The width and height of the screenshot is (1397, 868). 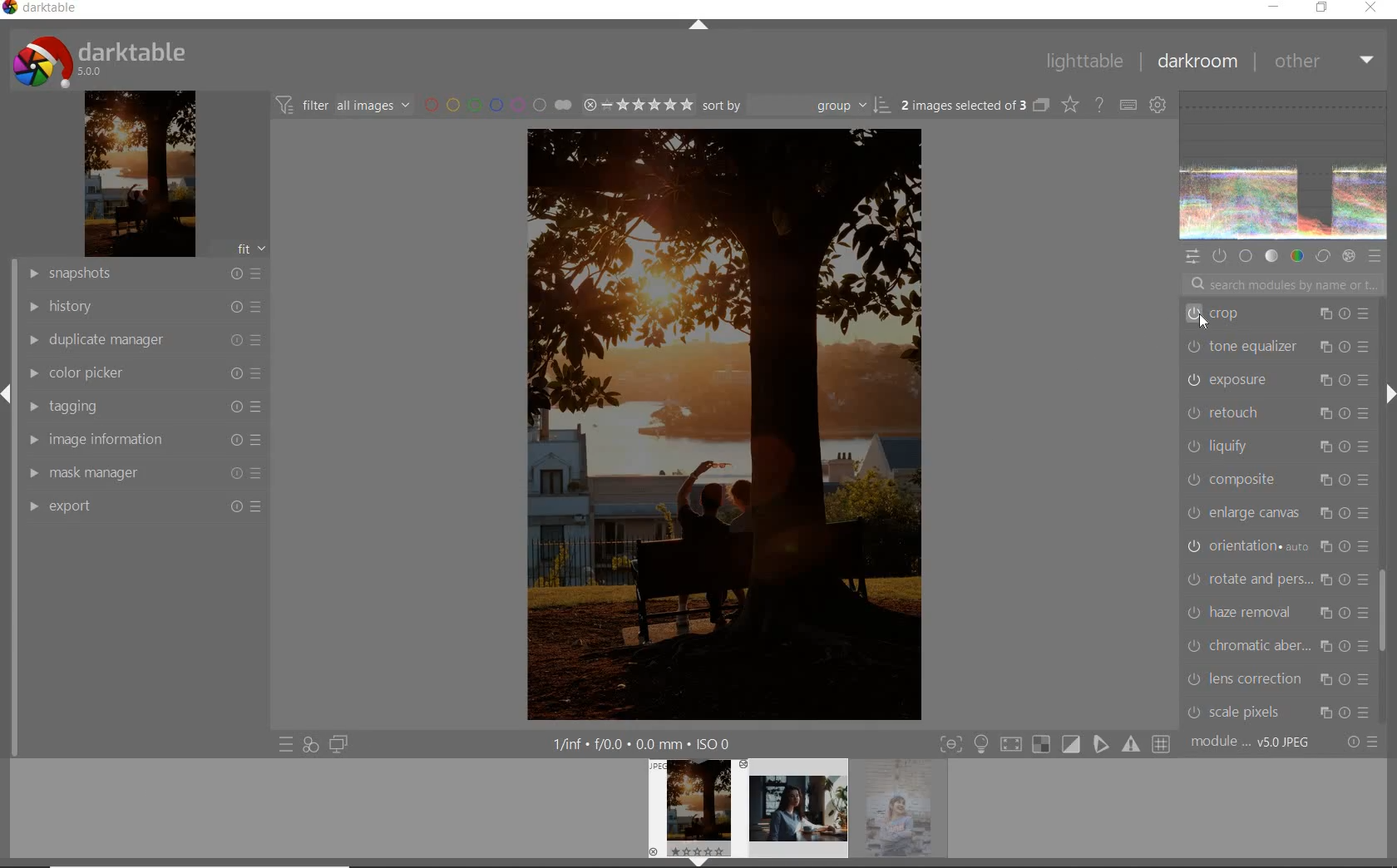 I want to click on search modules, so click(x=1281, y=284).